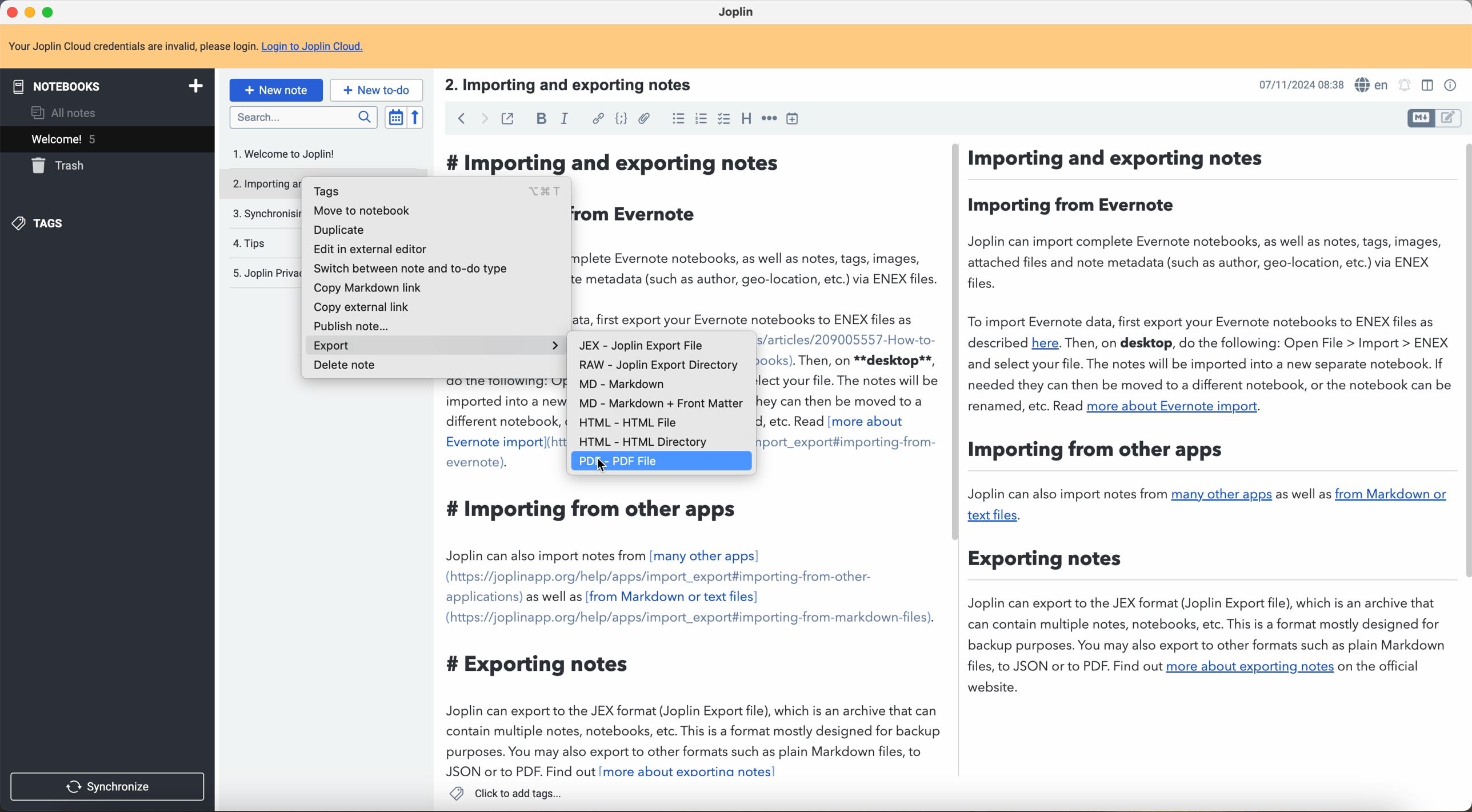  Describe the element at coordinates (1295, 84) in the screenshot. I see `21/12/2024 21:23` at that location.